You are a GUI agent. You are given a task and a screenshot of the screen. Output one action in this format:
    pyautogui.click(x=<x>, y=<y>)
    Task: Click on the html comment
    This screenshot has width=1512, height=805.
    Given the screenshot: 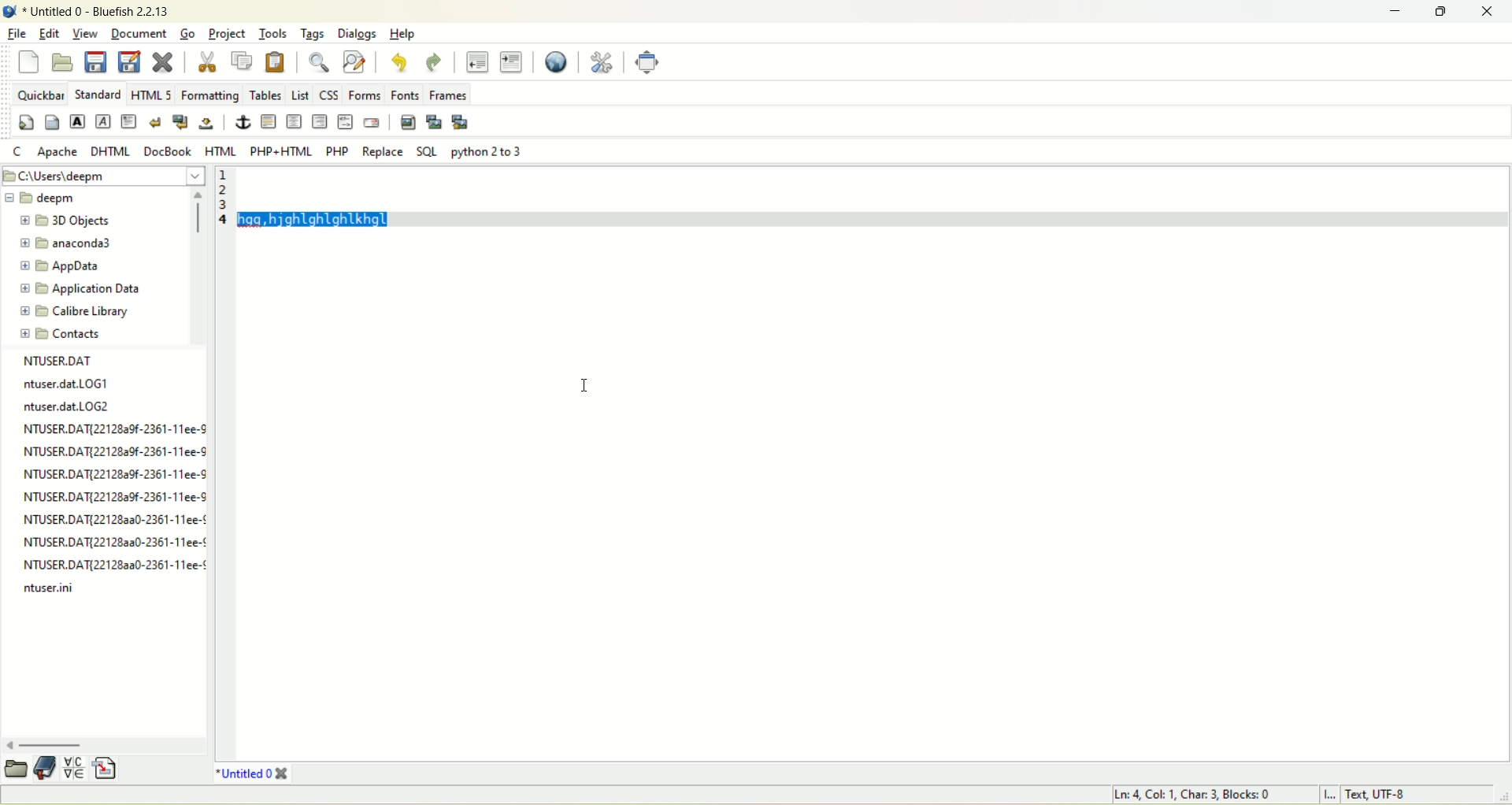 What is the action you would take?
    pyautogui.click(x=346, y=121)
    